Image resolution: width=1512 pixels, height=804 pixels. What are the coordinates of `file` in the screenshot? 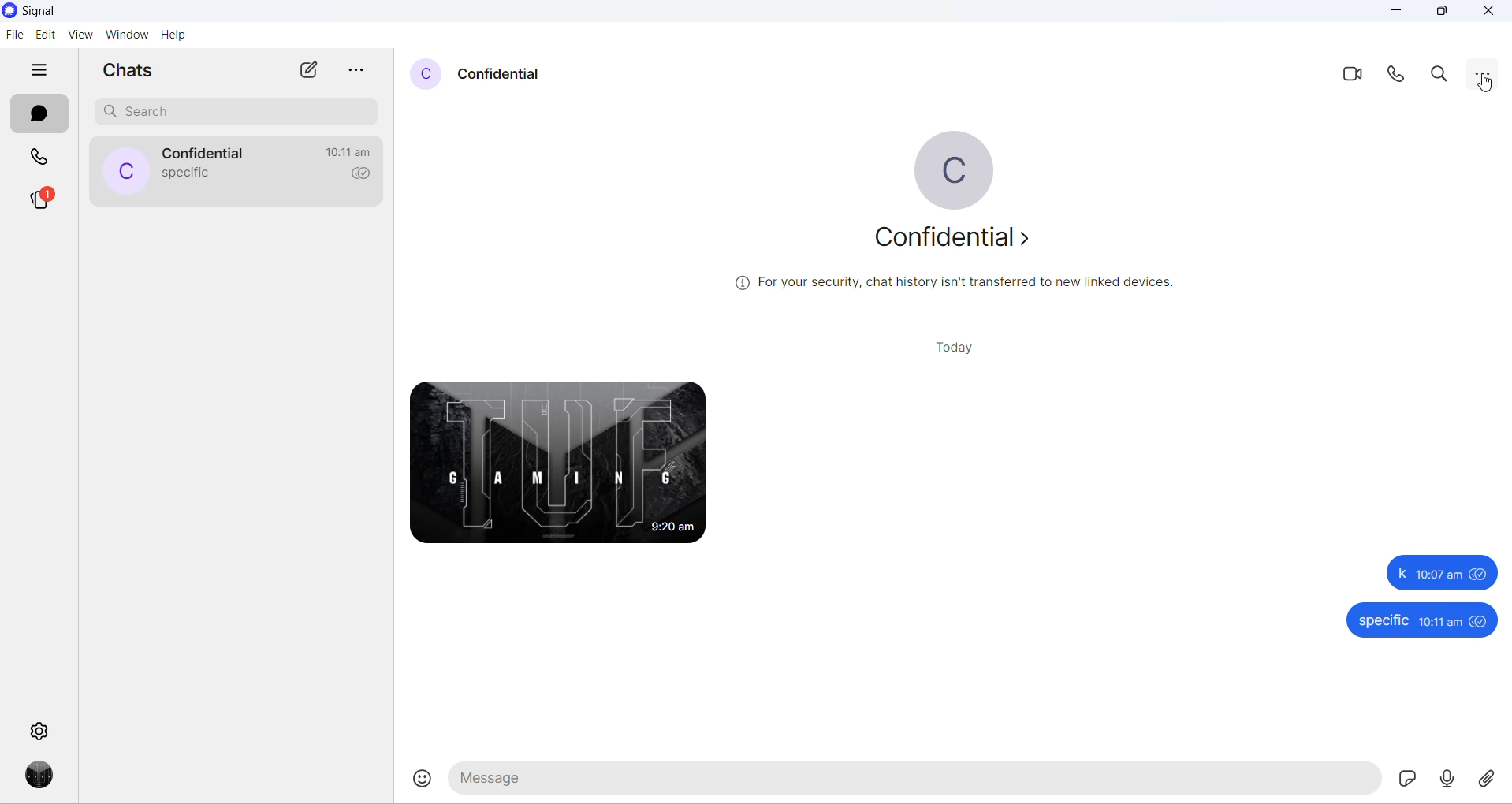 It's located at (14, 35).